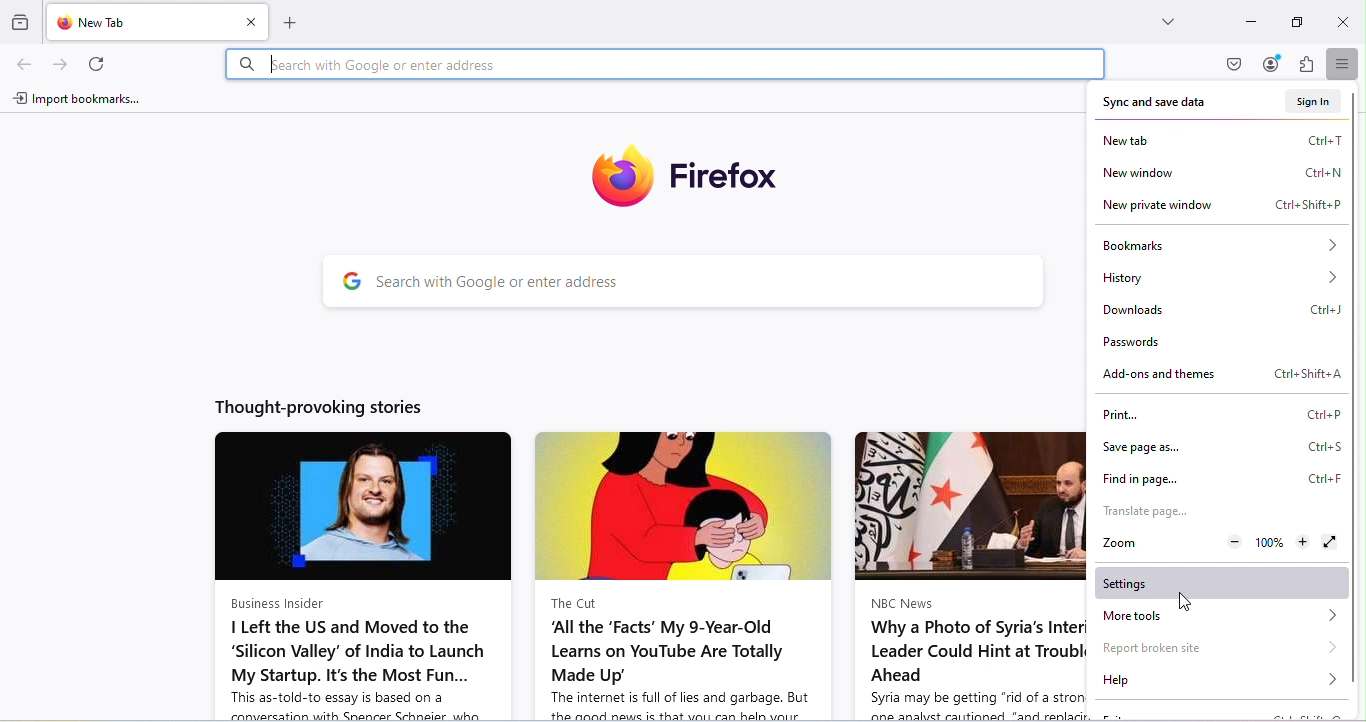  What do you see at coordinates (311, 409) in the screenshot?
I see `Thought-provoking stories` at bounding box center [311, 409].